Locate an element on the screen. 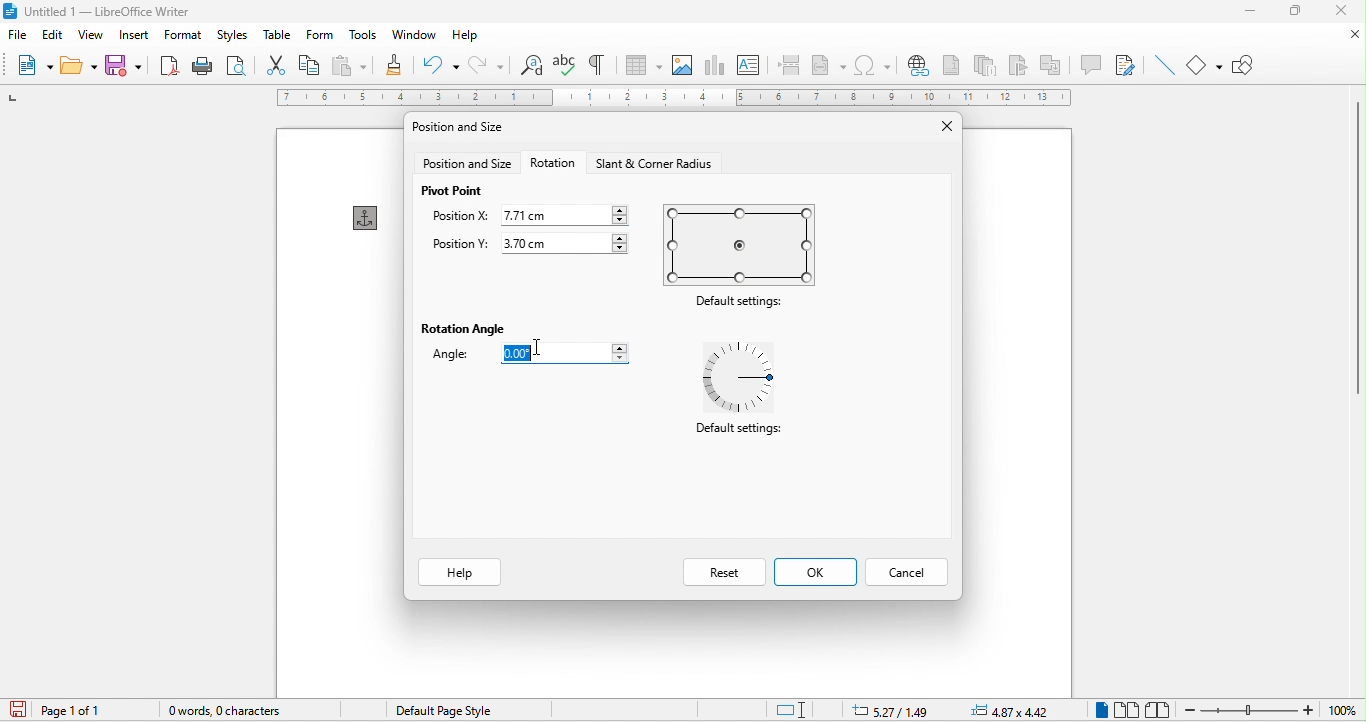 Image resolution: width=1366 pixels, height=722 pixels. 0 words, o character is located at coordinates (241, 711).